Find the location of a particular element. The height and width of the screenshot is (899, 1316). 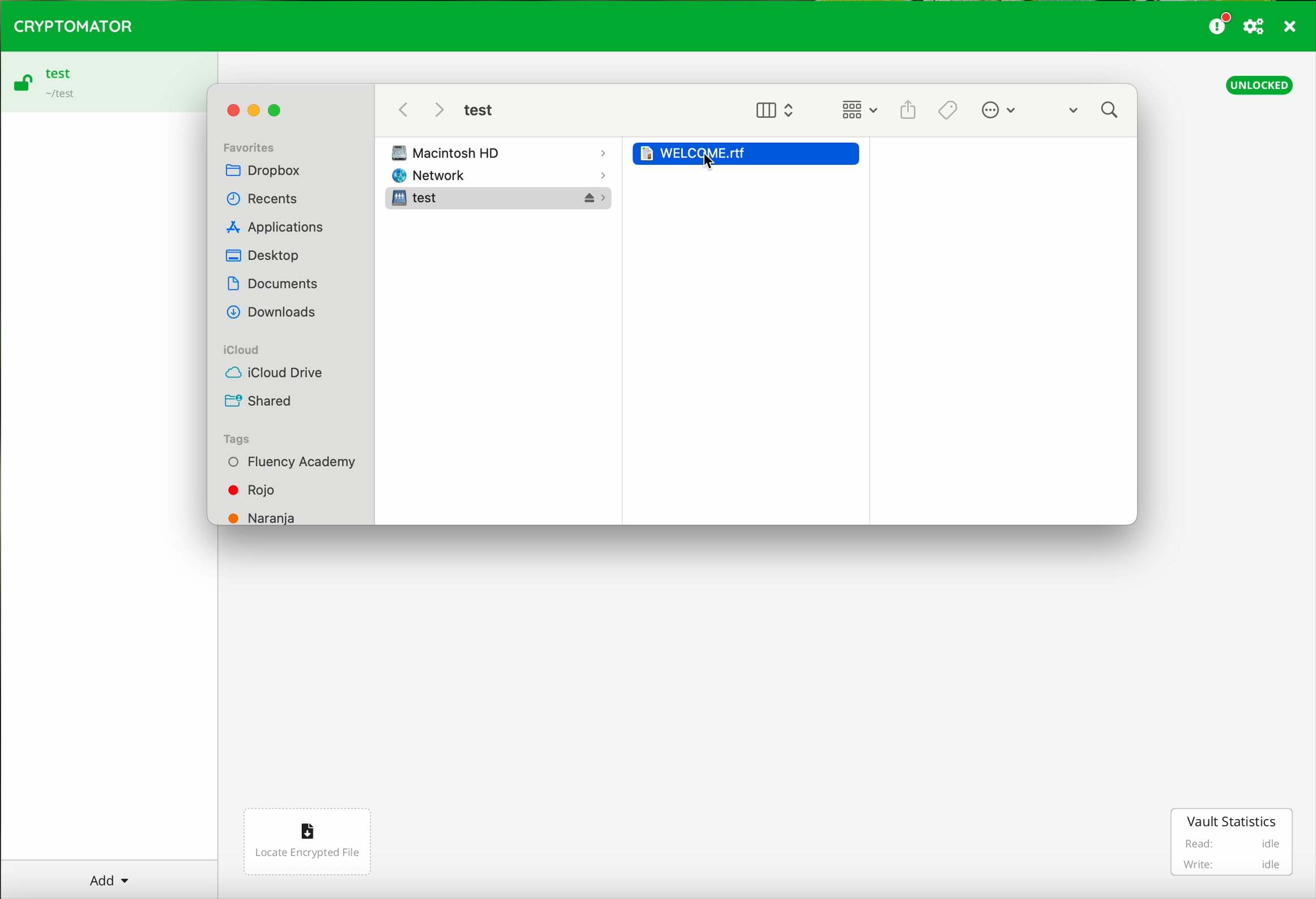

List View is located at coordinates (858, 110).